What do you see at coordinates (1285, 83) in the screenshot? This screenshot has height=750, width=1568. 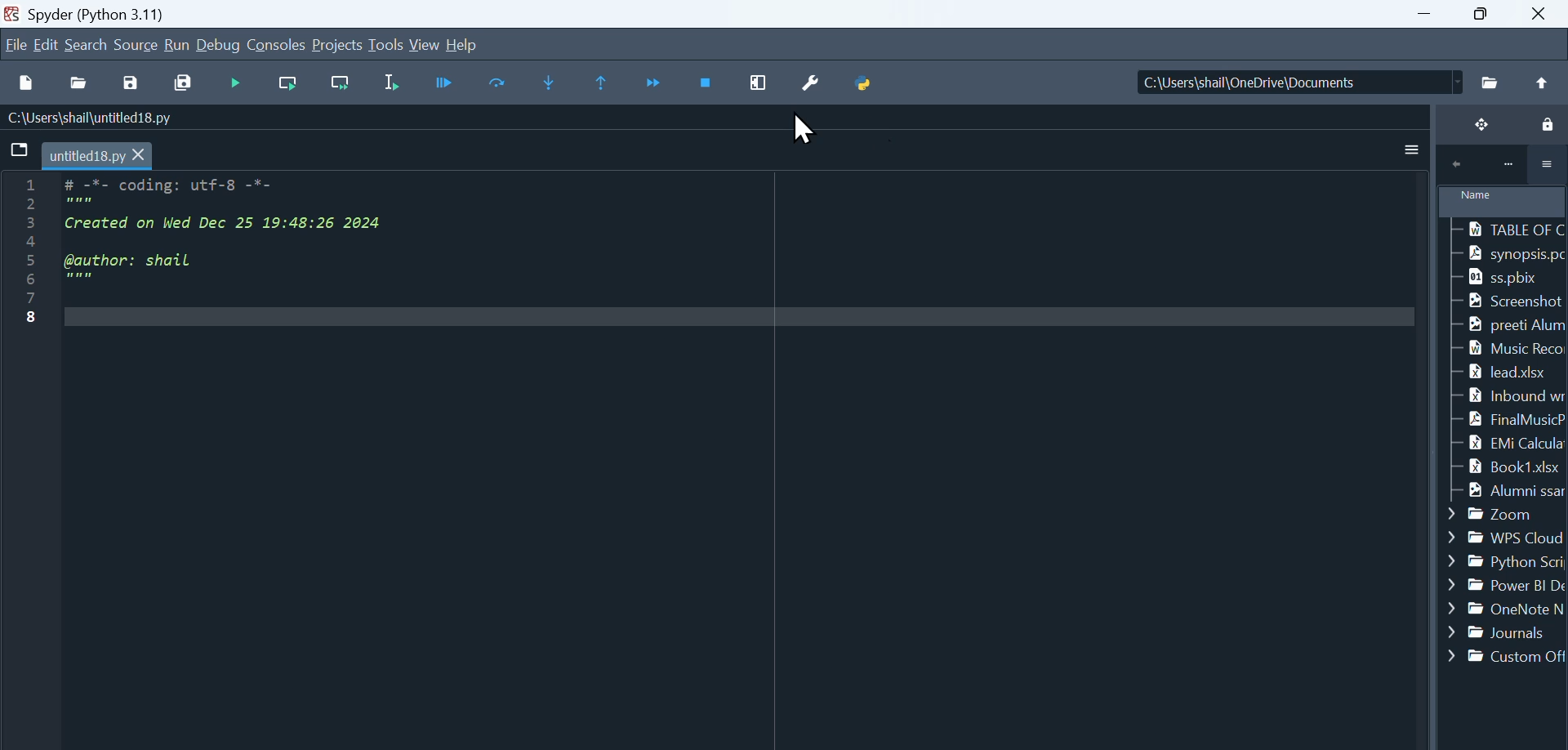 I see `c:/users/shail/onedrive/document` at bounding box center [1285, 83].